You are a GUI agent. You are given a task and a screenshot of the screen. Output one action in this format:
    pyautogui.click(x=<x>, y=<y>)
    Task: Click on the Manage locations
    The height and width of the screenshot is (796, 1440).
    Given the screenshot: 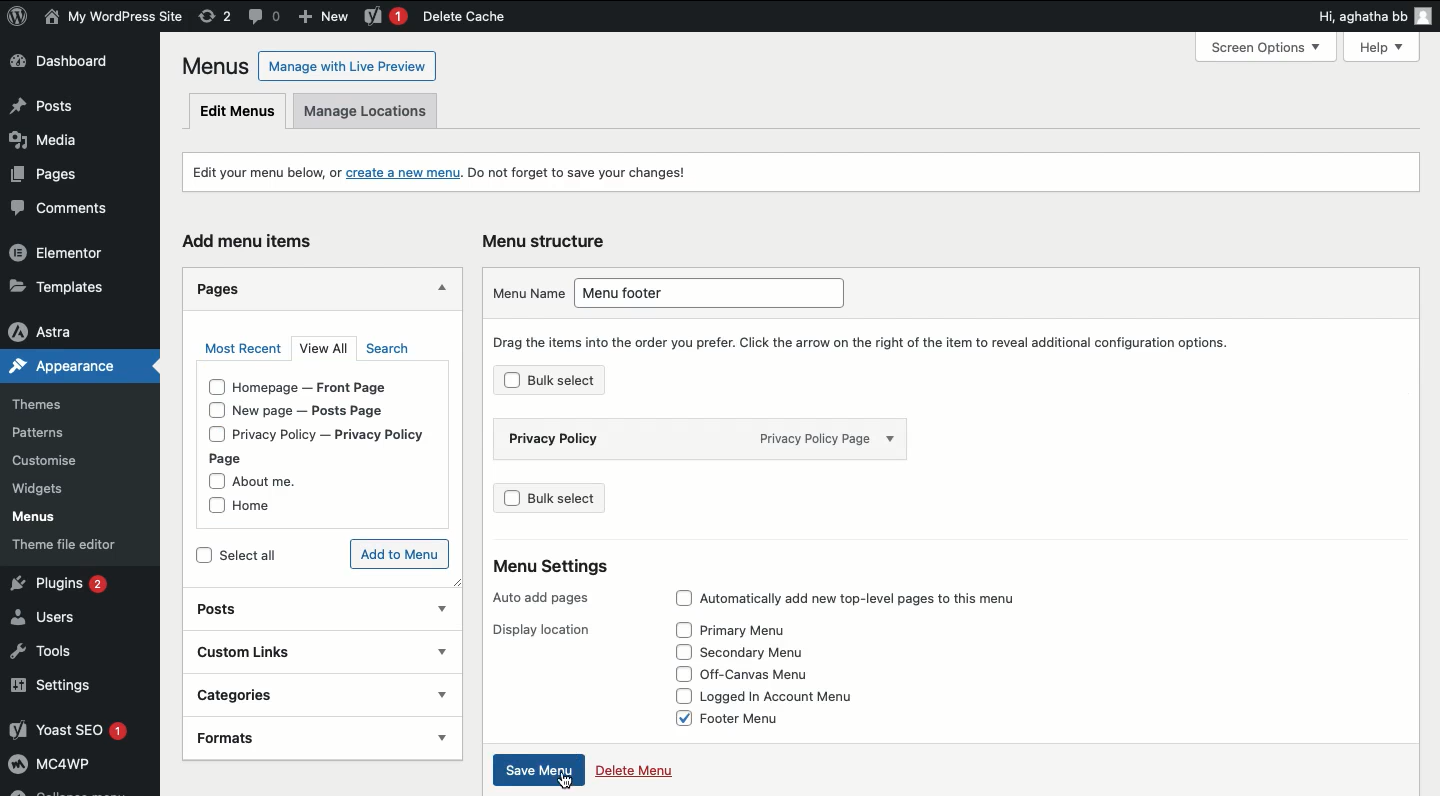 What is the action you would take?
    pyautogui.click(x=374, y=111)
    